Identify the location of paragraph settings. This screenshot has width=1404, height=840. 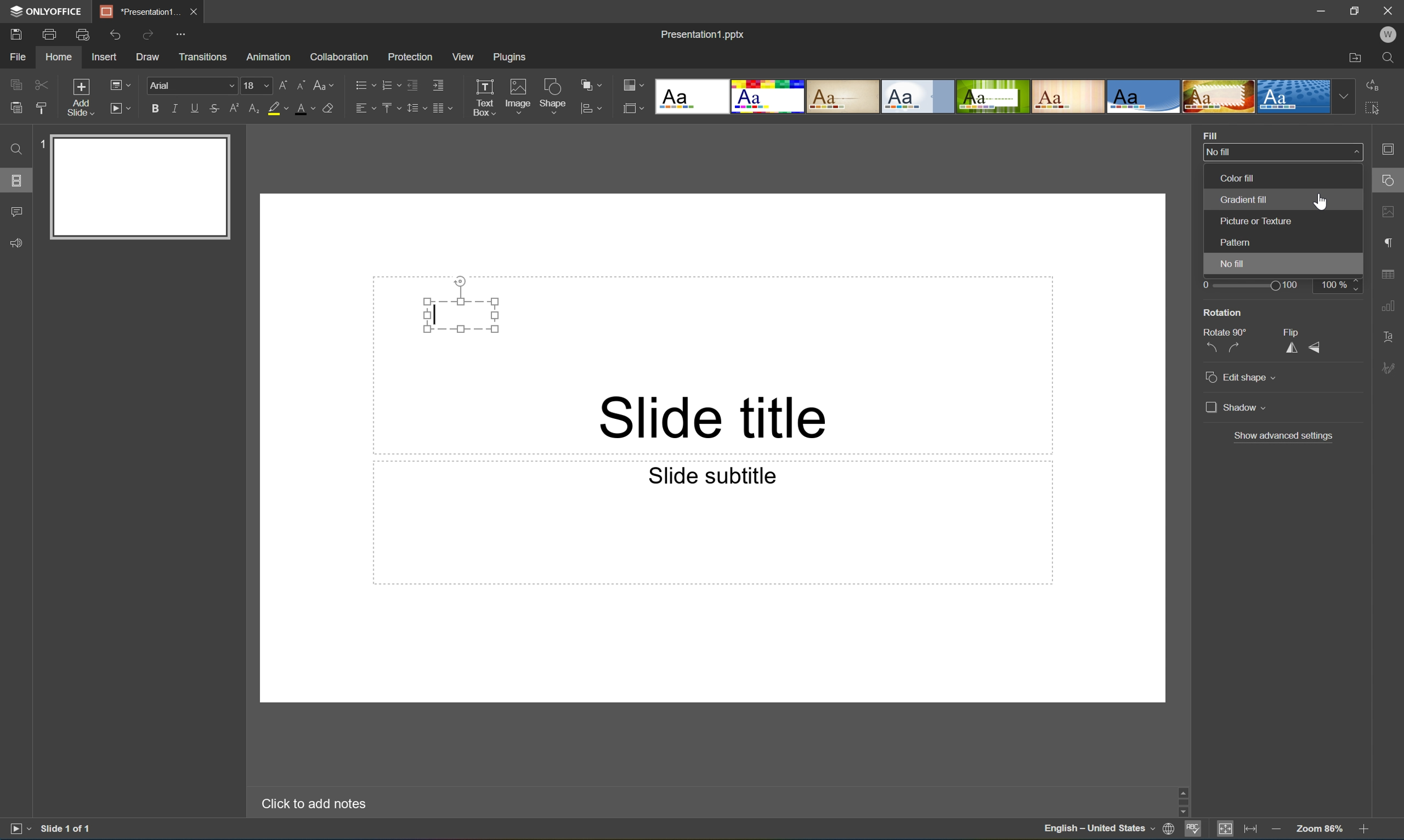
(1391, 241).